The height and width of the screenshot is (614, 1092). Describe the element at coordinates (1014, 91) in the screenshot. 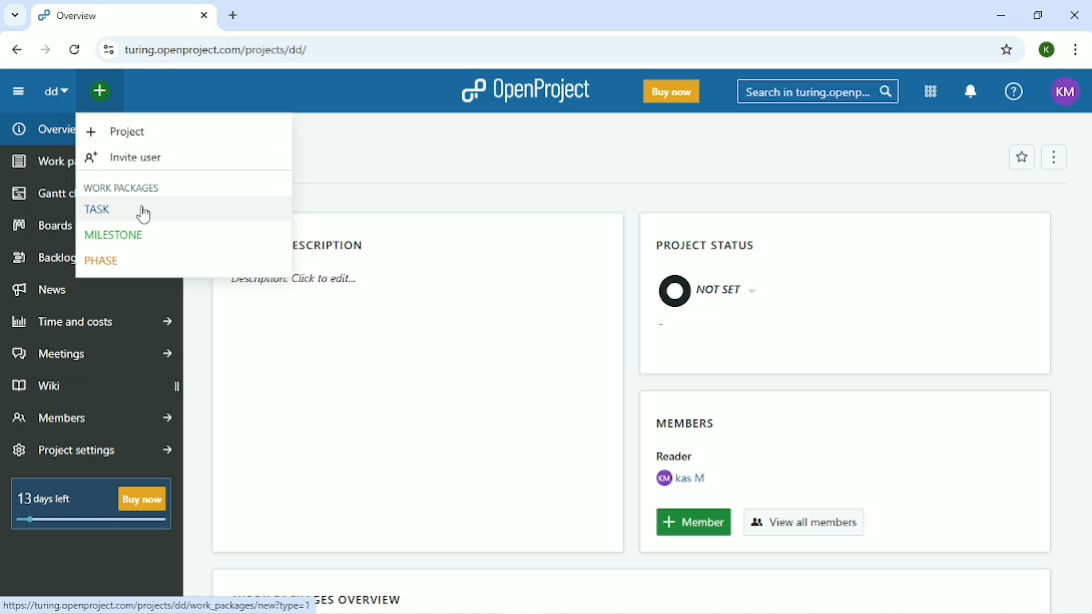

I see `Help` at that location.